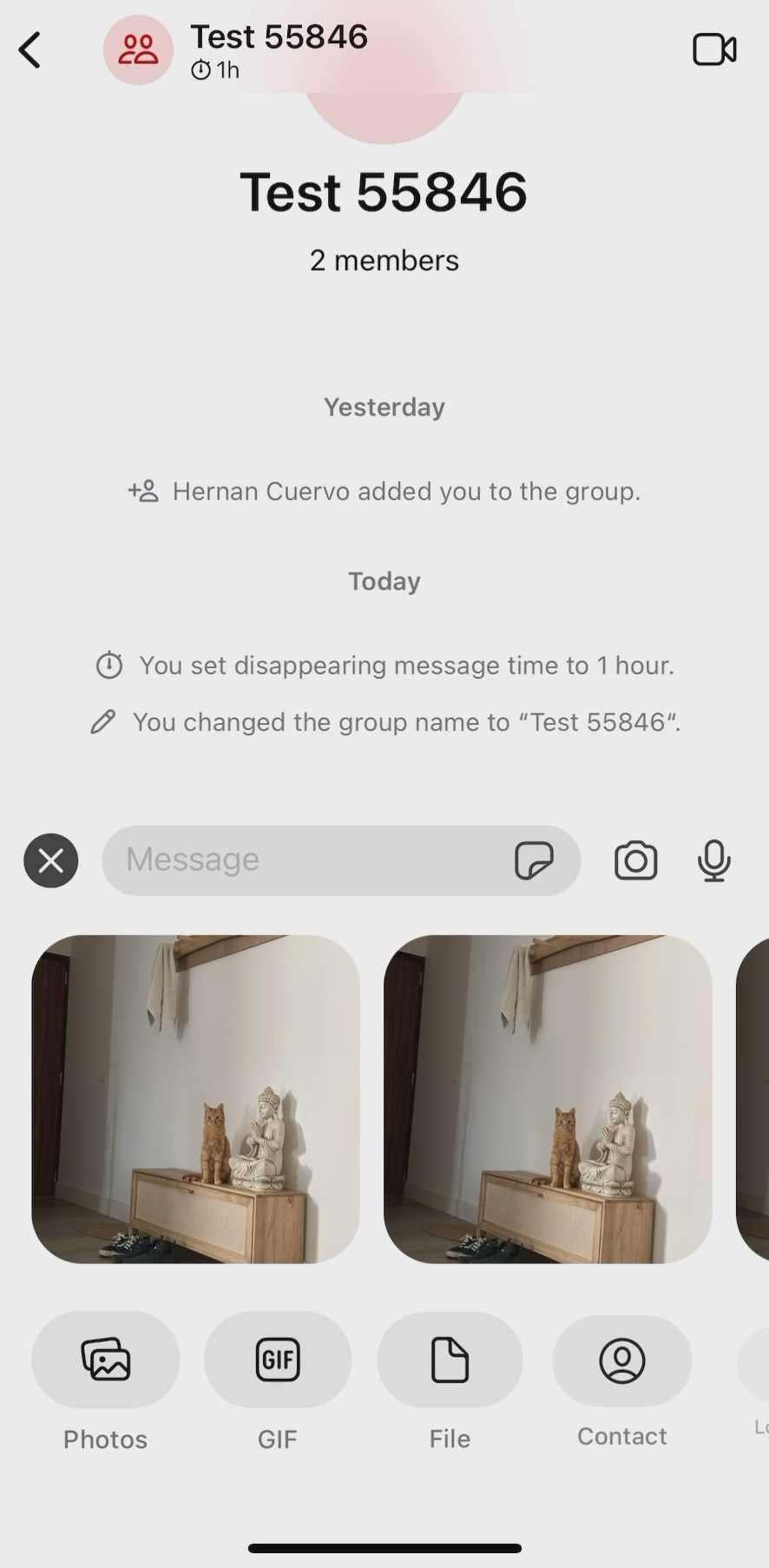  Describe the element at coordinates (750, 1108) in the screenshot. I see `image` at that location.